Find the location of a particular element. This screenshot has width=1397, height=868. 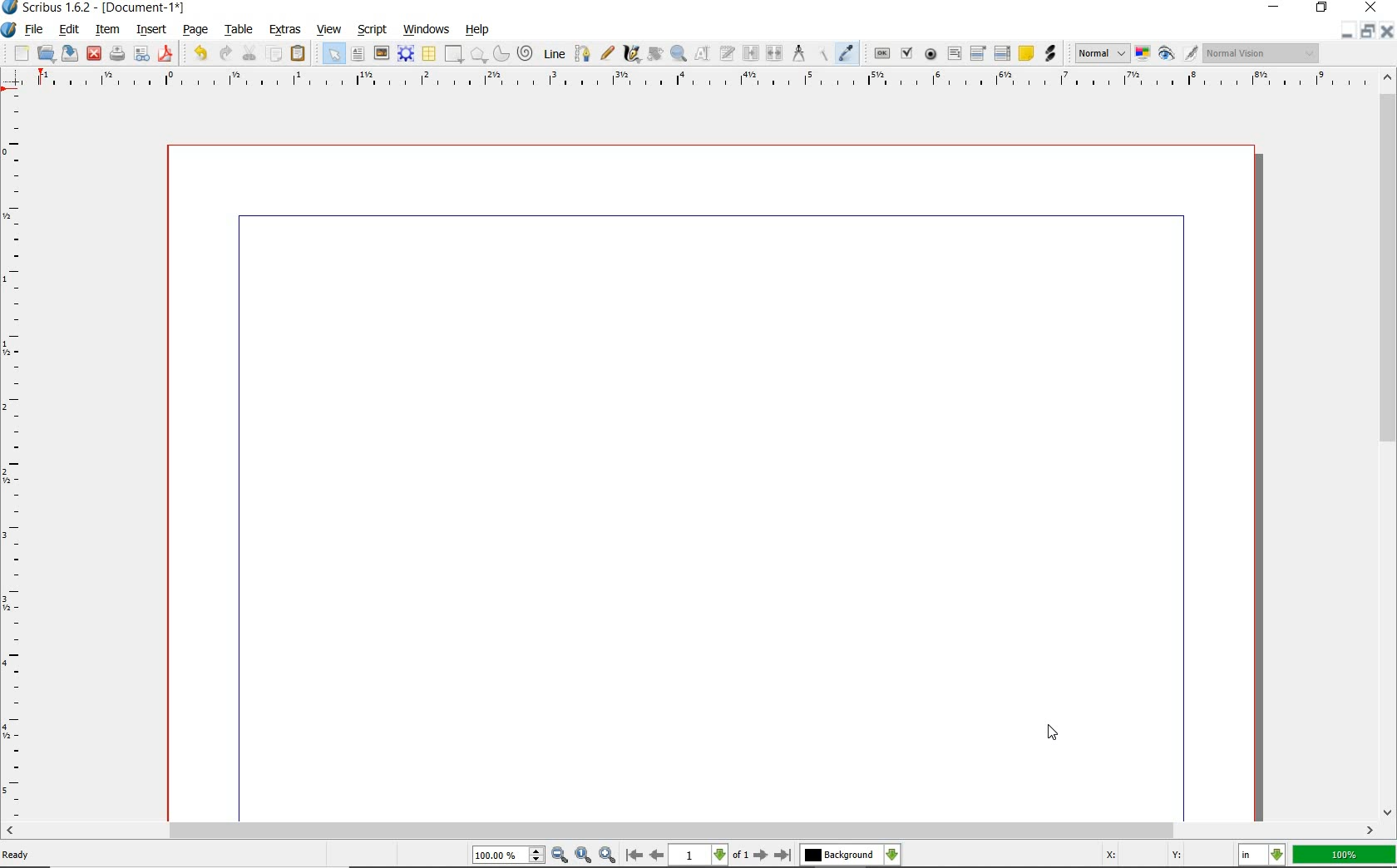

save is located at coordinates (67, 53).